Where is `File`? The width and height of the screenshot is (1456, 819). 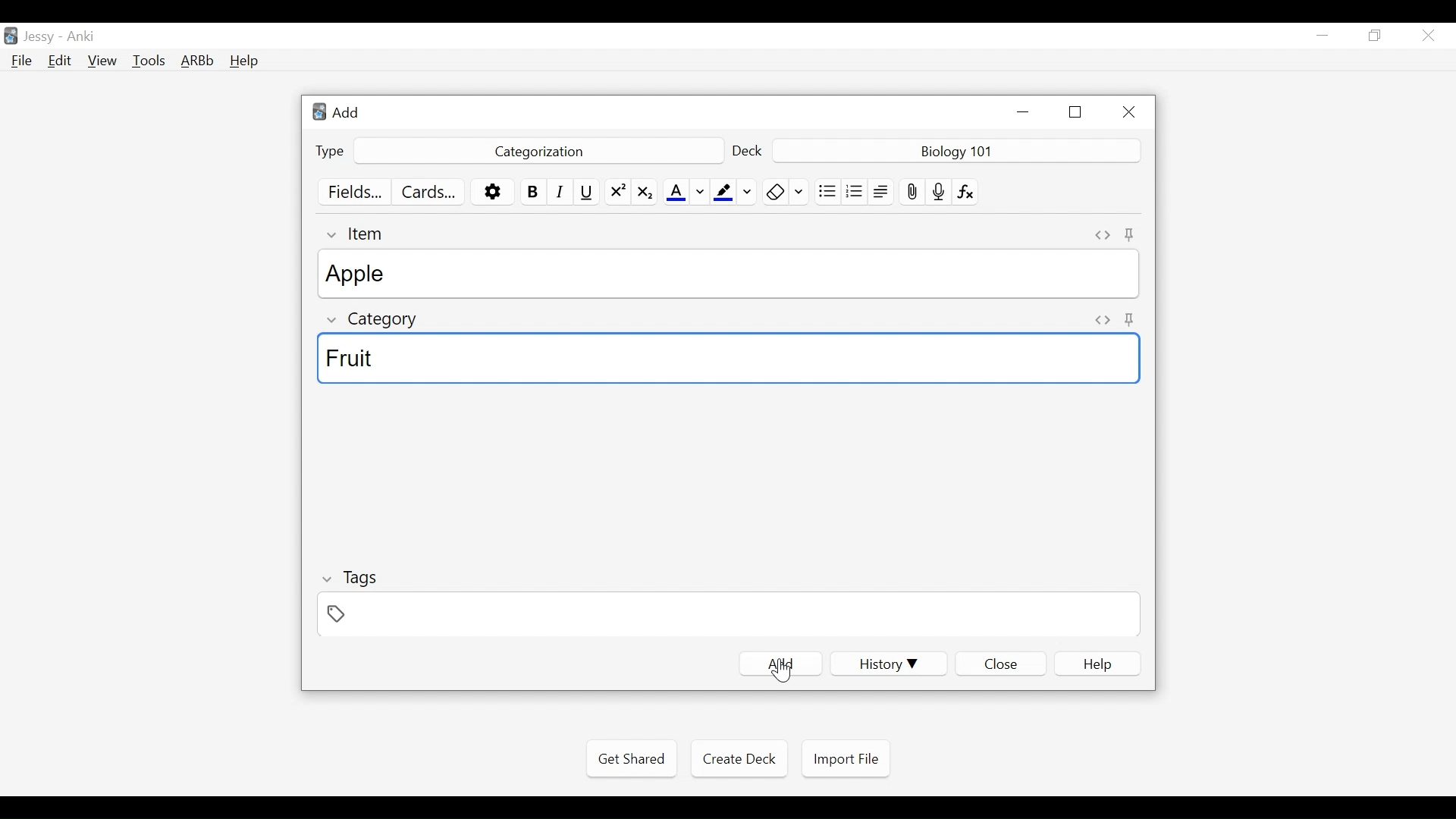
File is located at coordinates (22, 62).